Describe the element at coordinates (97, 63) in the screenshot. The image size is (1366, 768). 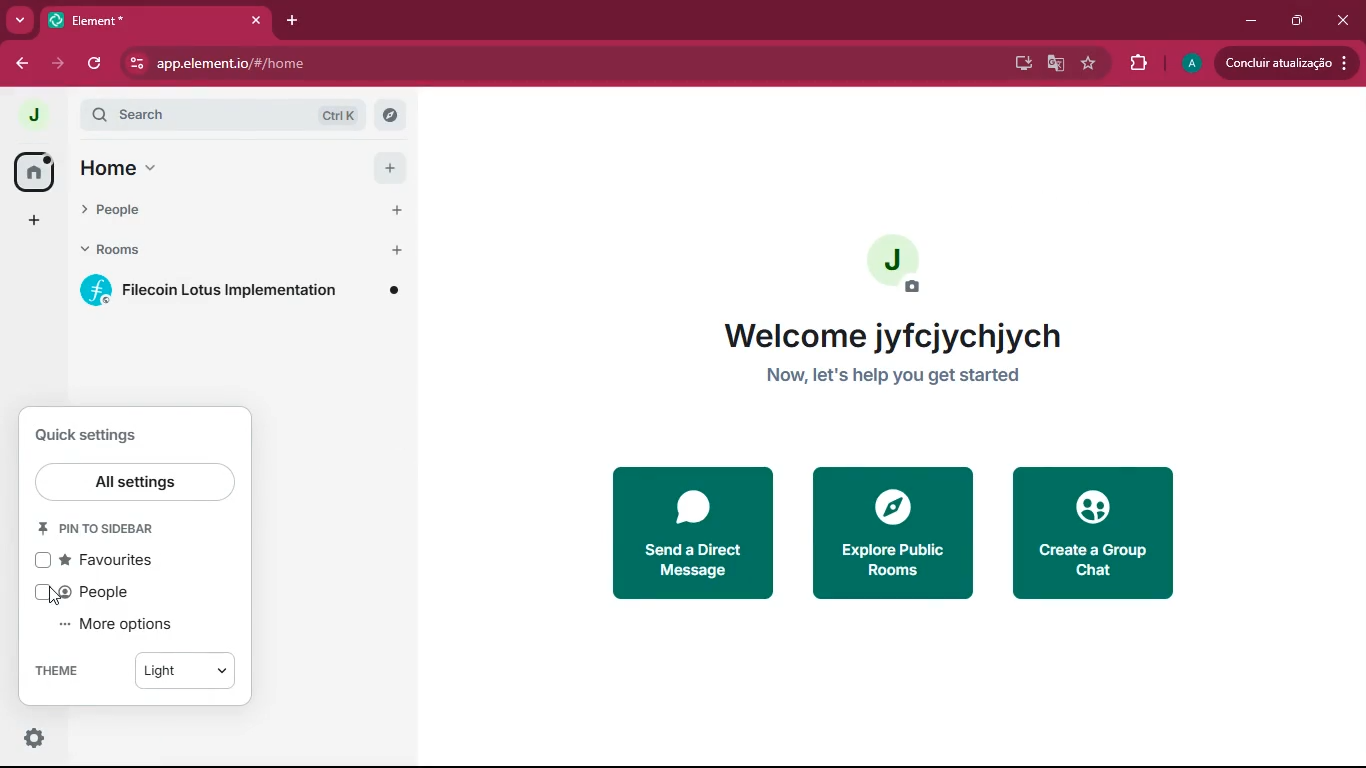
I see `refresh` at that location.